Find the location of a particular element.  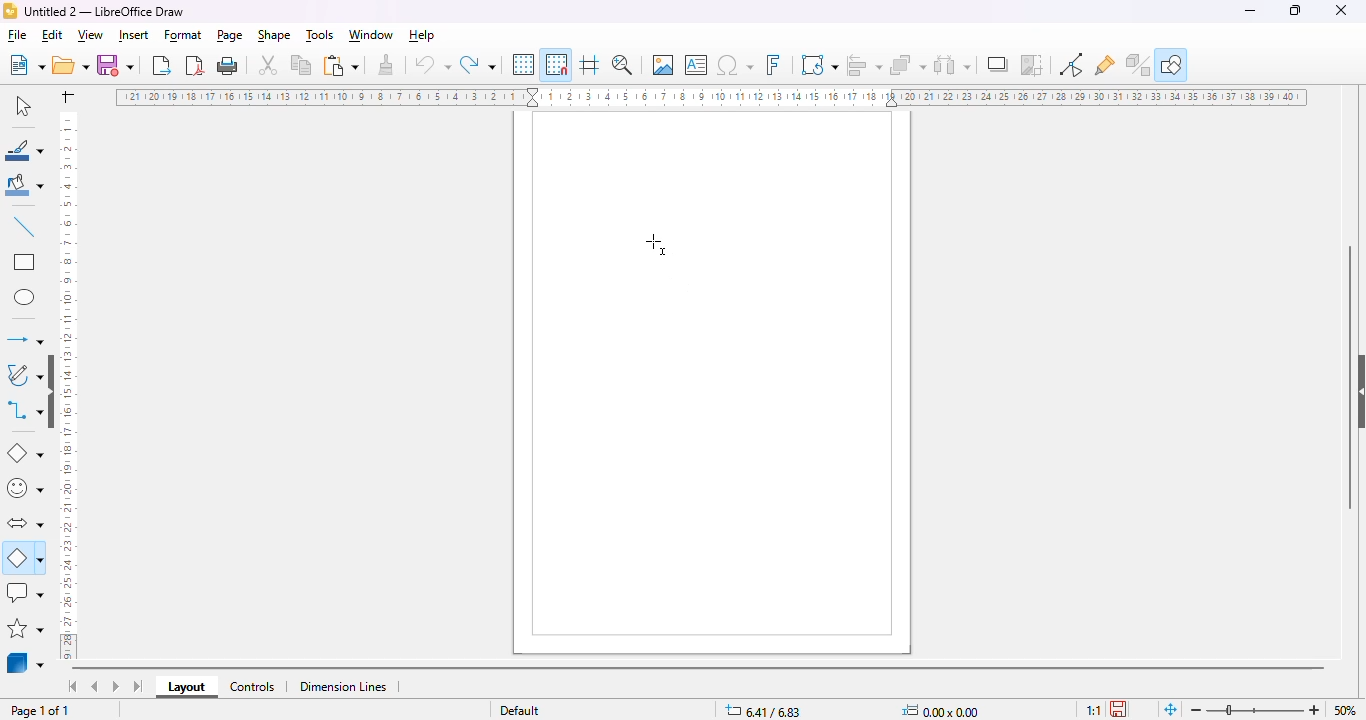

title is located at coordinates (106, 11).